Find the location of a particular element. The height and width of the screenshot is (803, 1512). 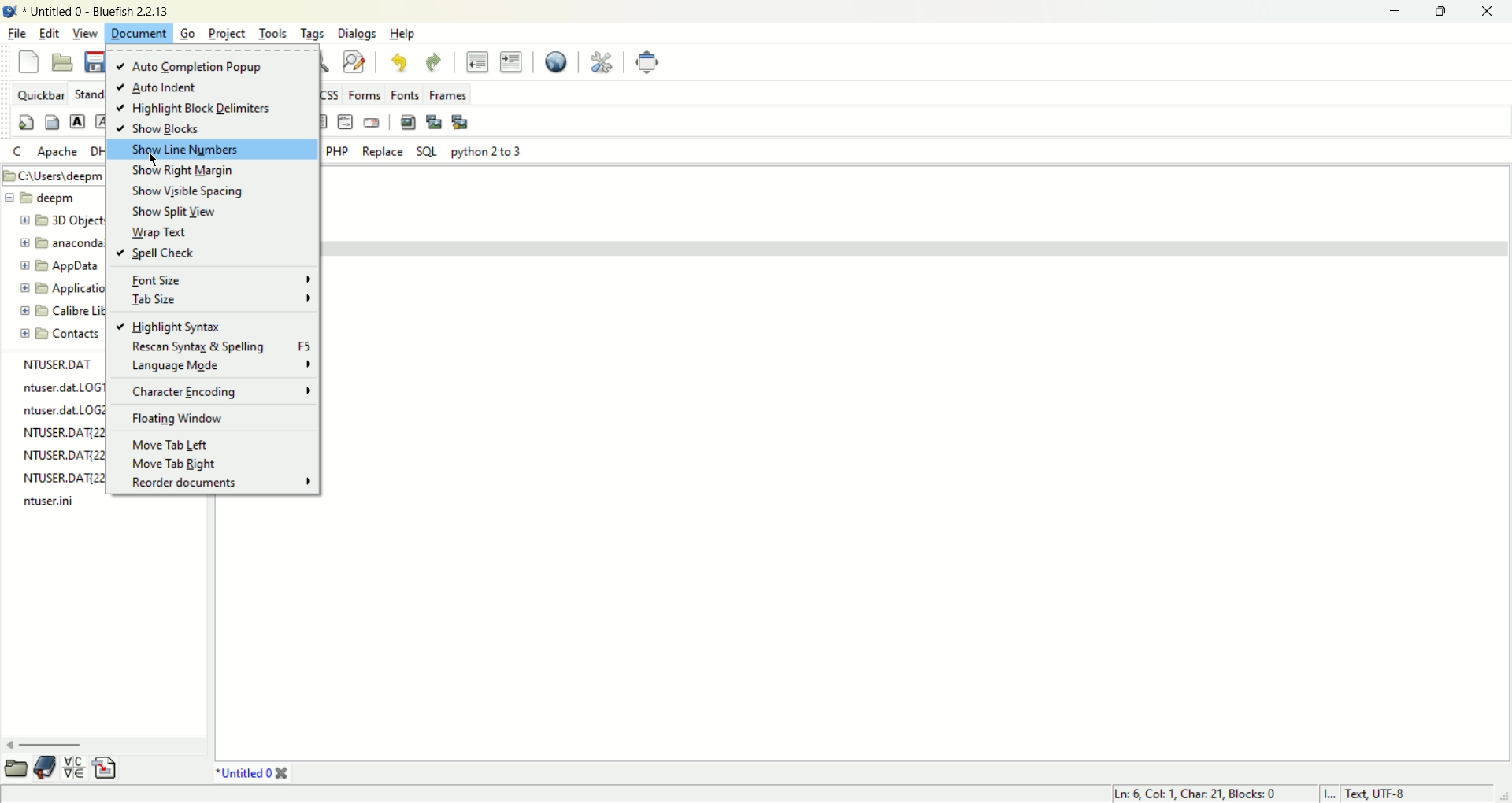

tools is located at coordinates (274, 32).